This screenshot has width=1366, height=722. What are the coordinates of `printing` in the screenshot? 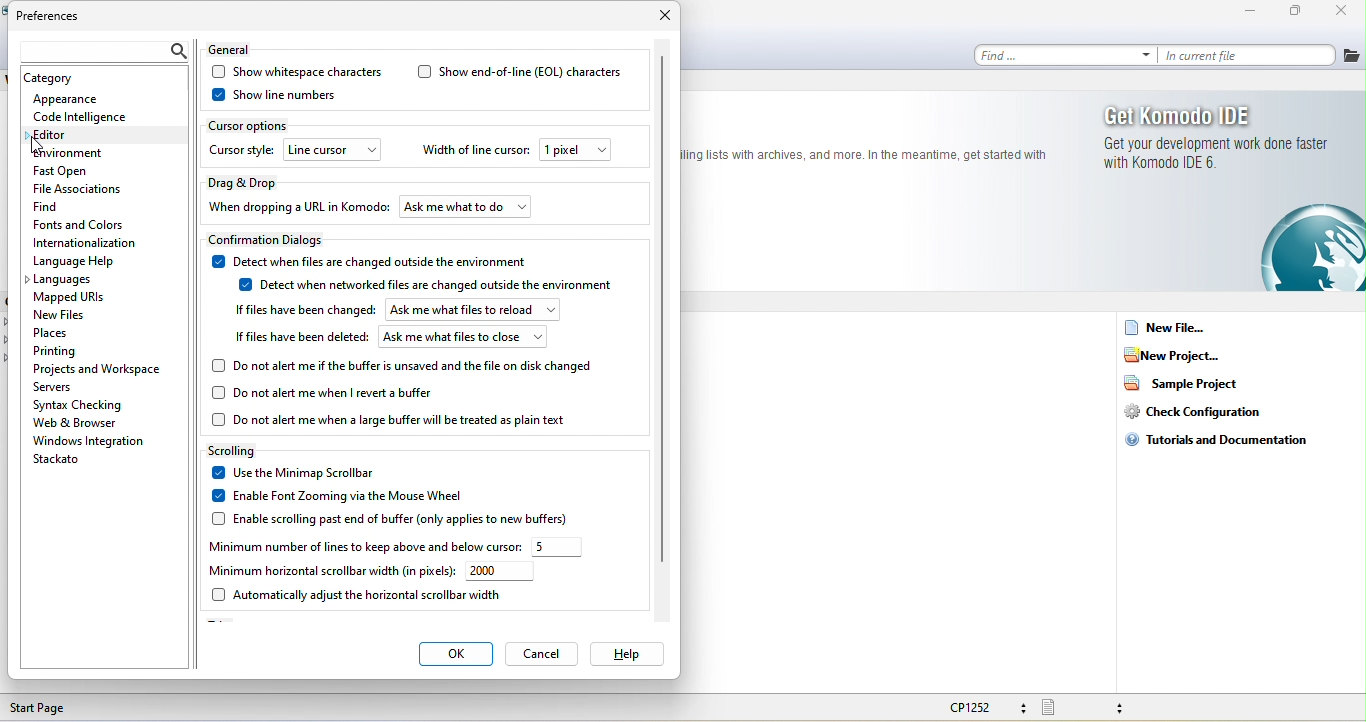 It's located at (72, 351).